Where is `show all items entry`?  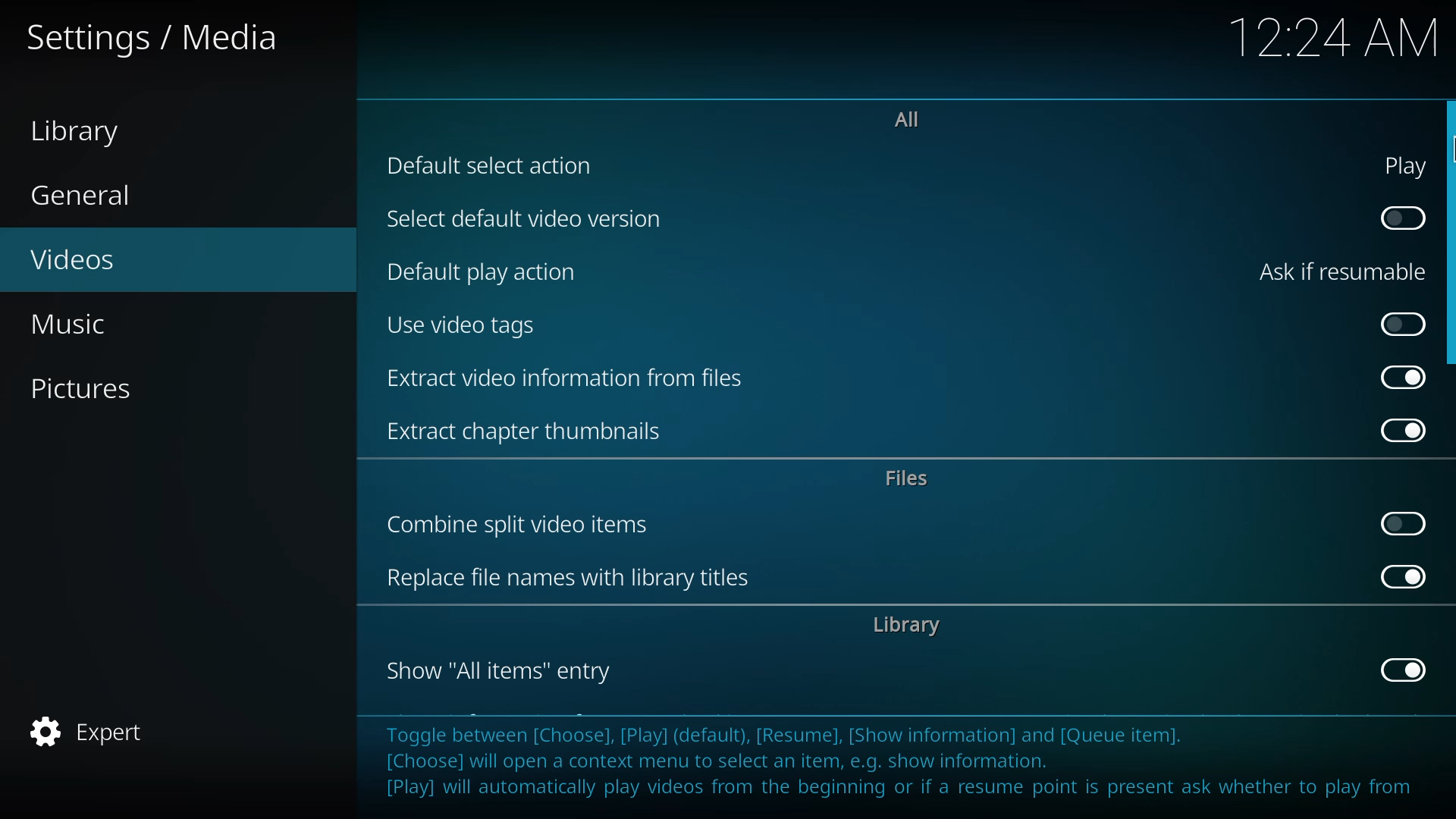
show all items entry is located at coordinates (498, 672).